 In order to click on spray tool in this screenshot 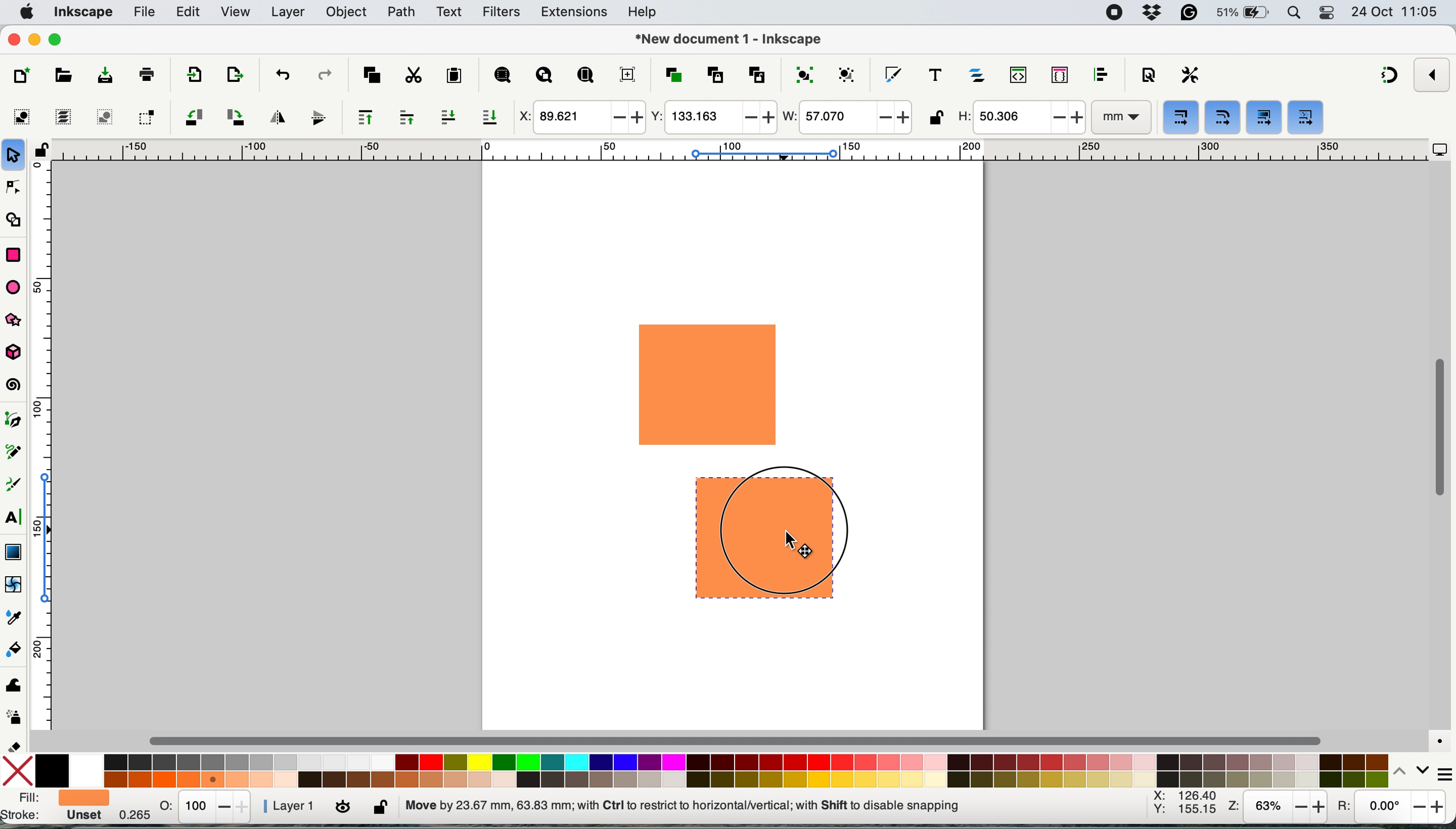, I will do `click(15, 717)`.